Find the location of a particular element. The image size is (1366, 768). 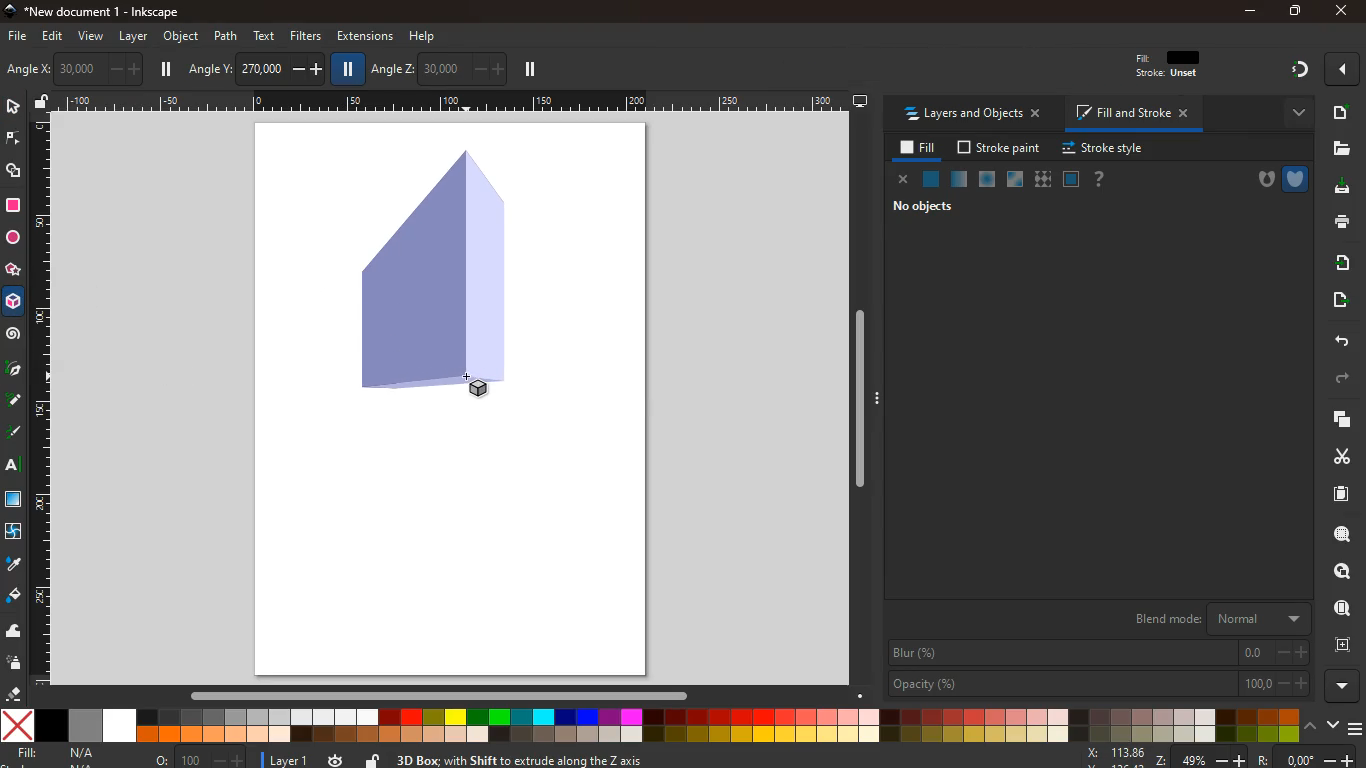

text is located at coordinates (266, 35).